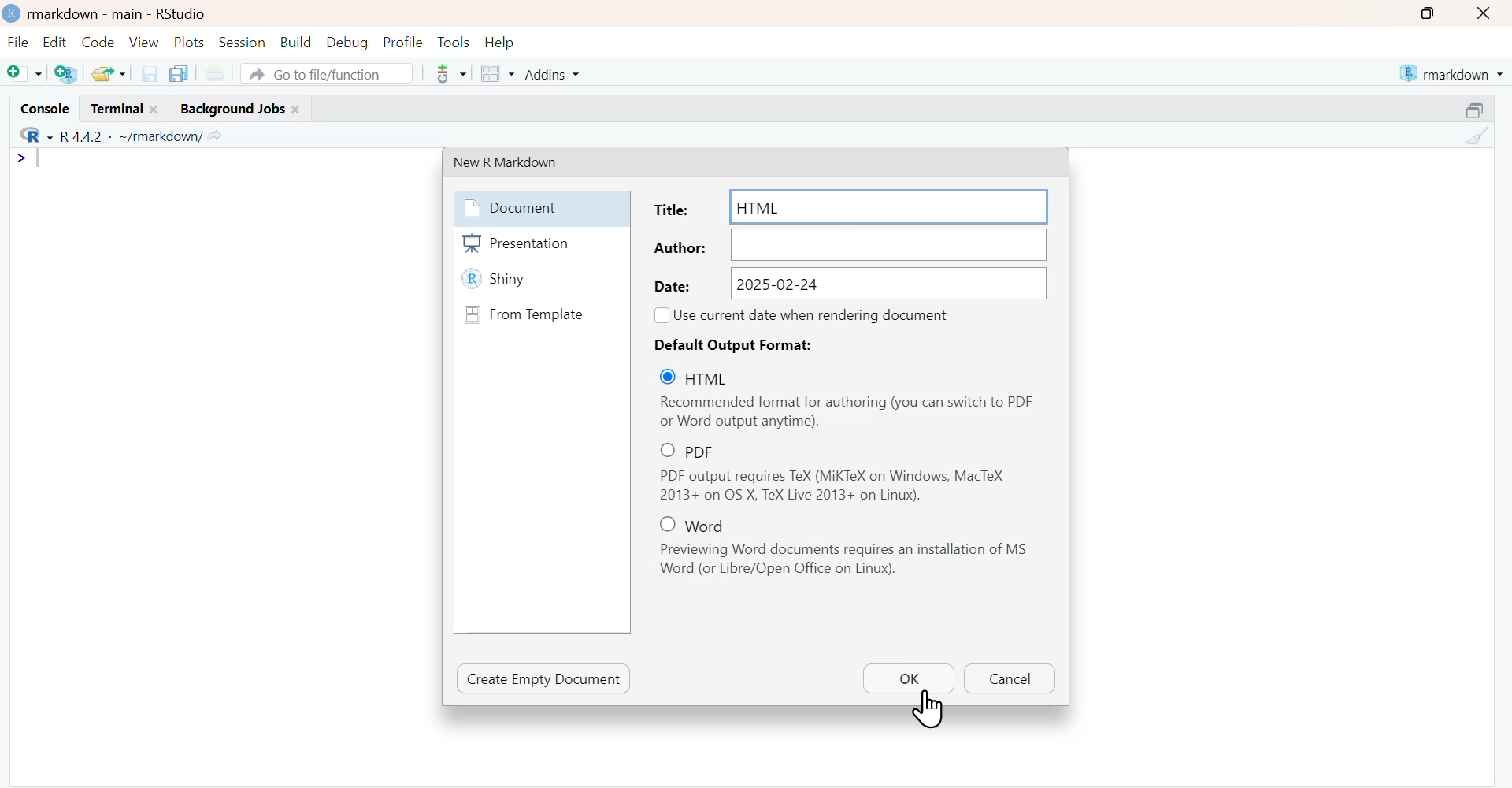  Describe the element at coordinates (1425, 13) in the screenshot. I see `maximize` at that location.